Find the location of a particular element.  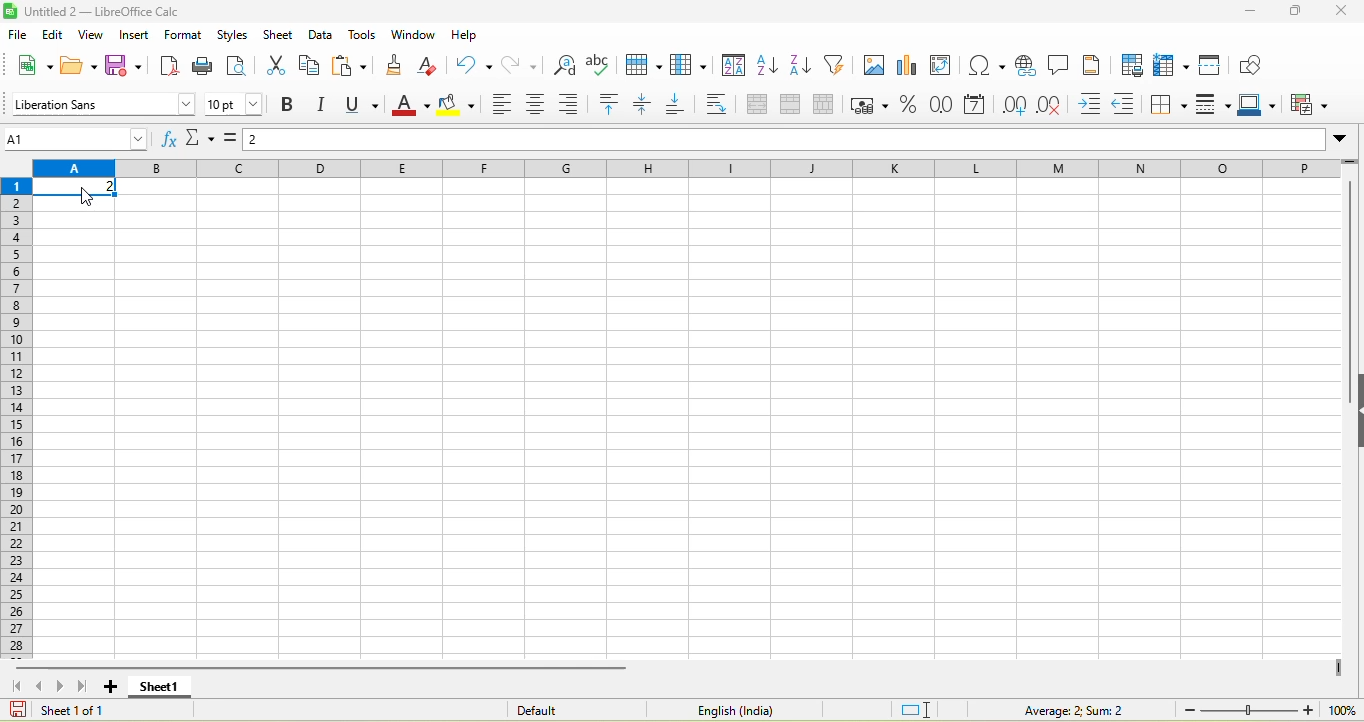

define print area is located at coordinates (1131, 65).